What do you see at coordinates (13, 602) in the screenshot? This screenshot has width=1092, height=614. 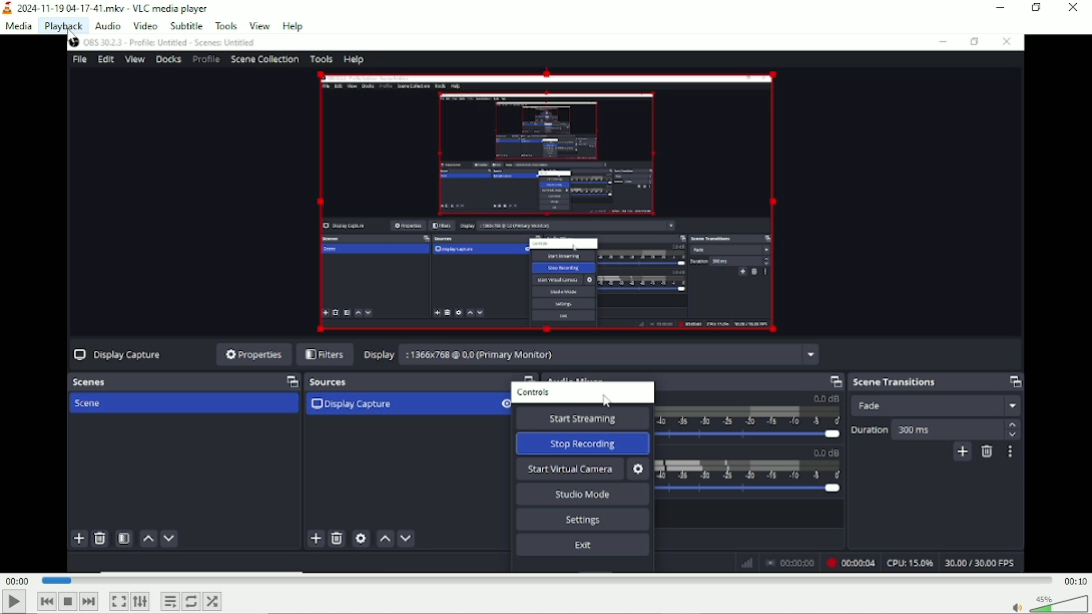 I see `Play` at bounding box center [13, 602].